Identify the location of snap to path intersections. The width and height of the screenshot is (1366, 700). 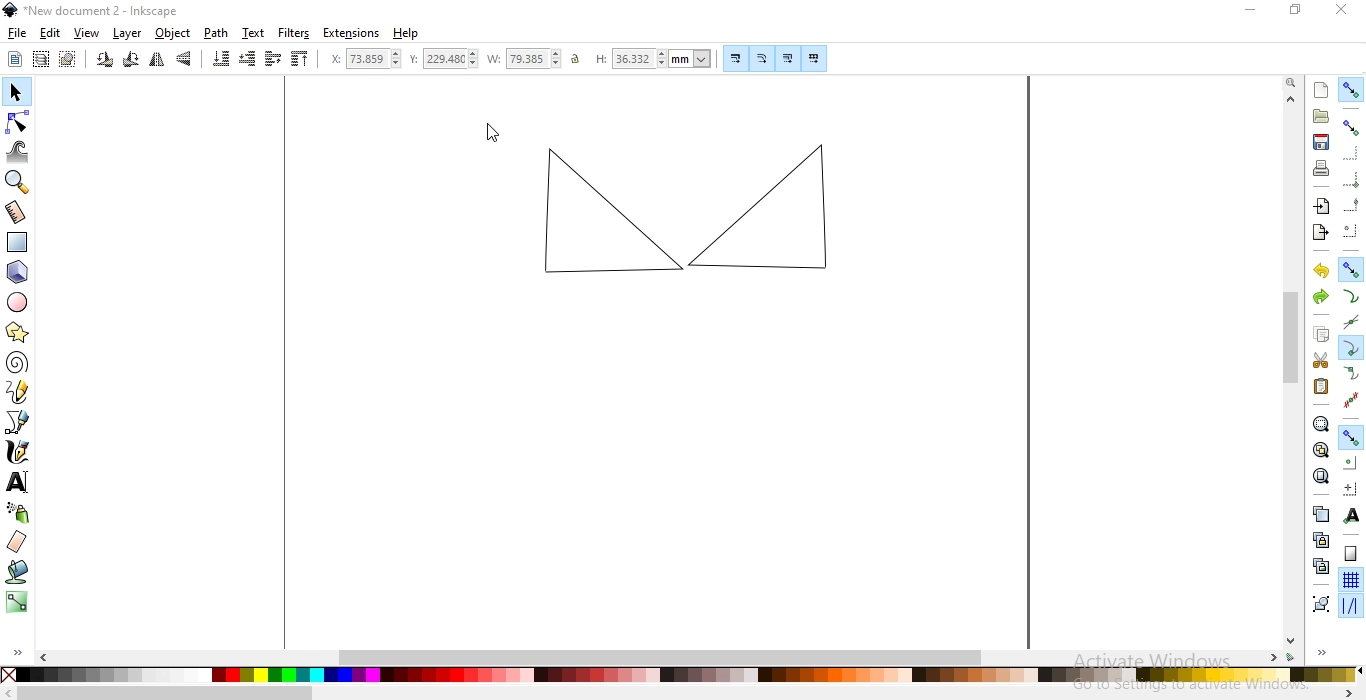
(1350, 319).